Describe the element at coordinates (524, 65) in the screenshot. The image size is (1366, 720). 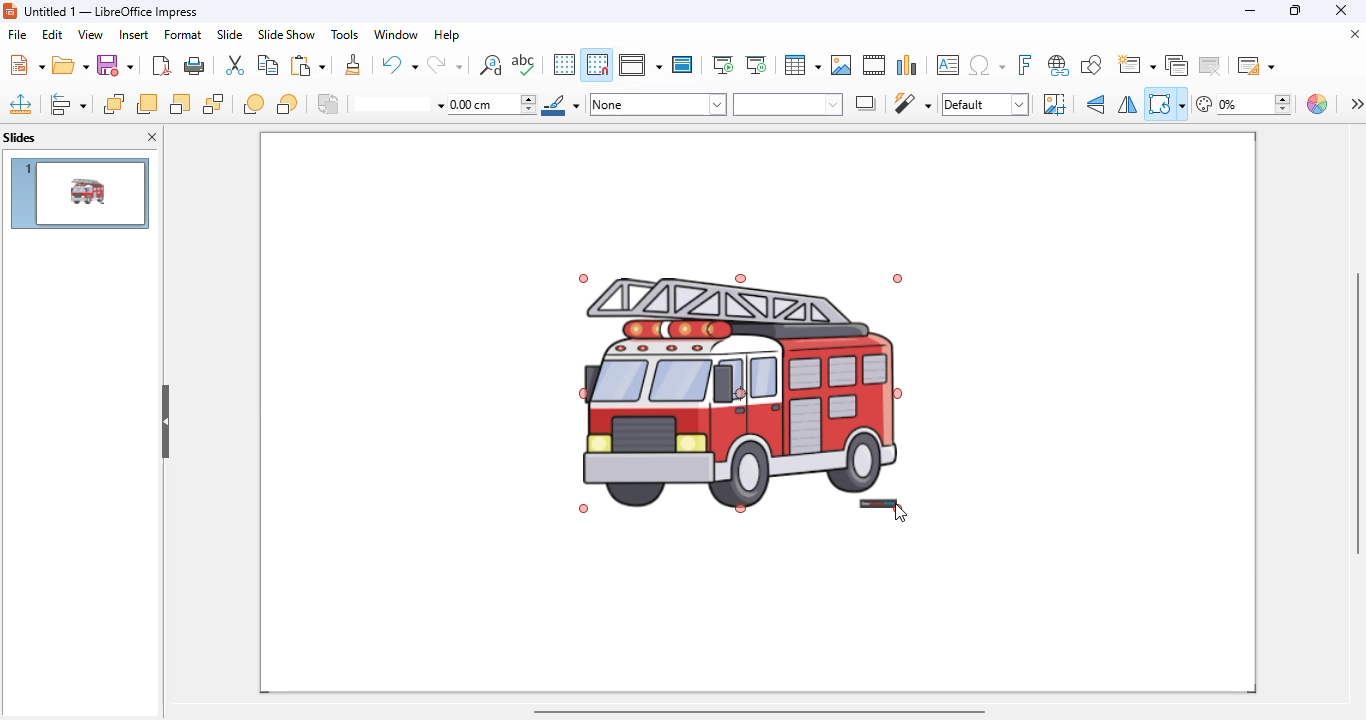
I see `spelling` at that location.